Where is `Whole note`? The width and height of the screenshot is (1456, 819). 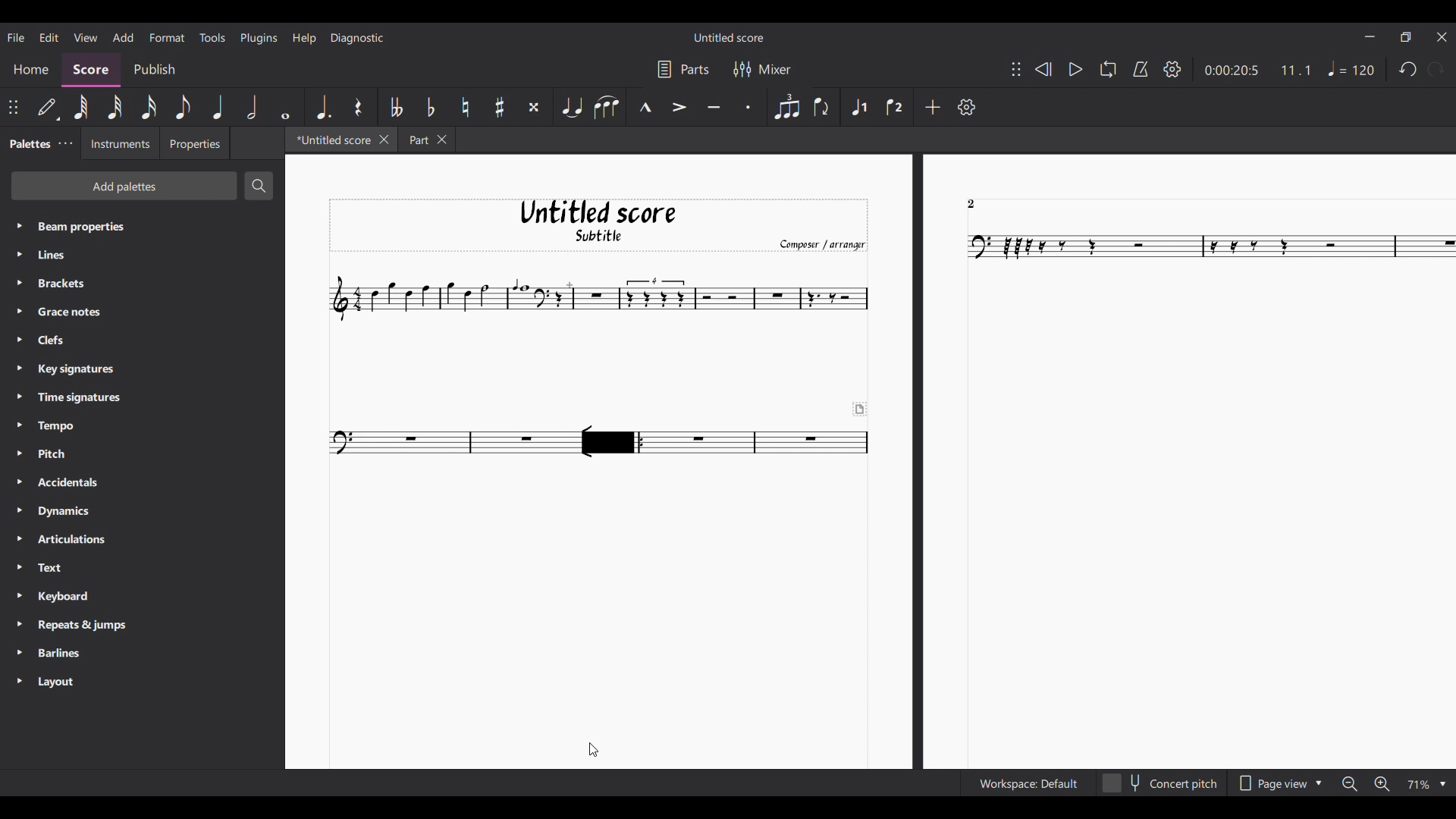
Whole note is located at coordinates (286, 106).